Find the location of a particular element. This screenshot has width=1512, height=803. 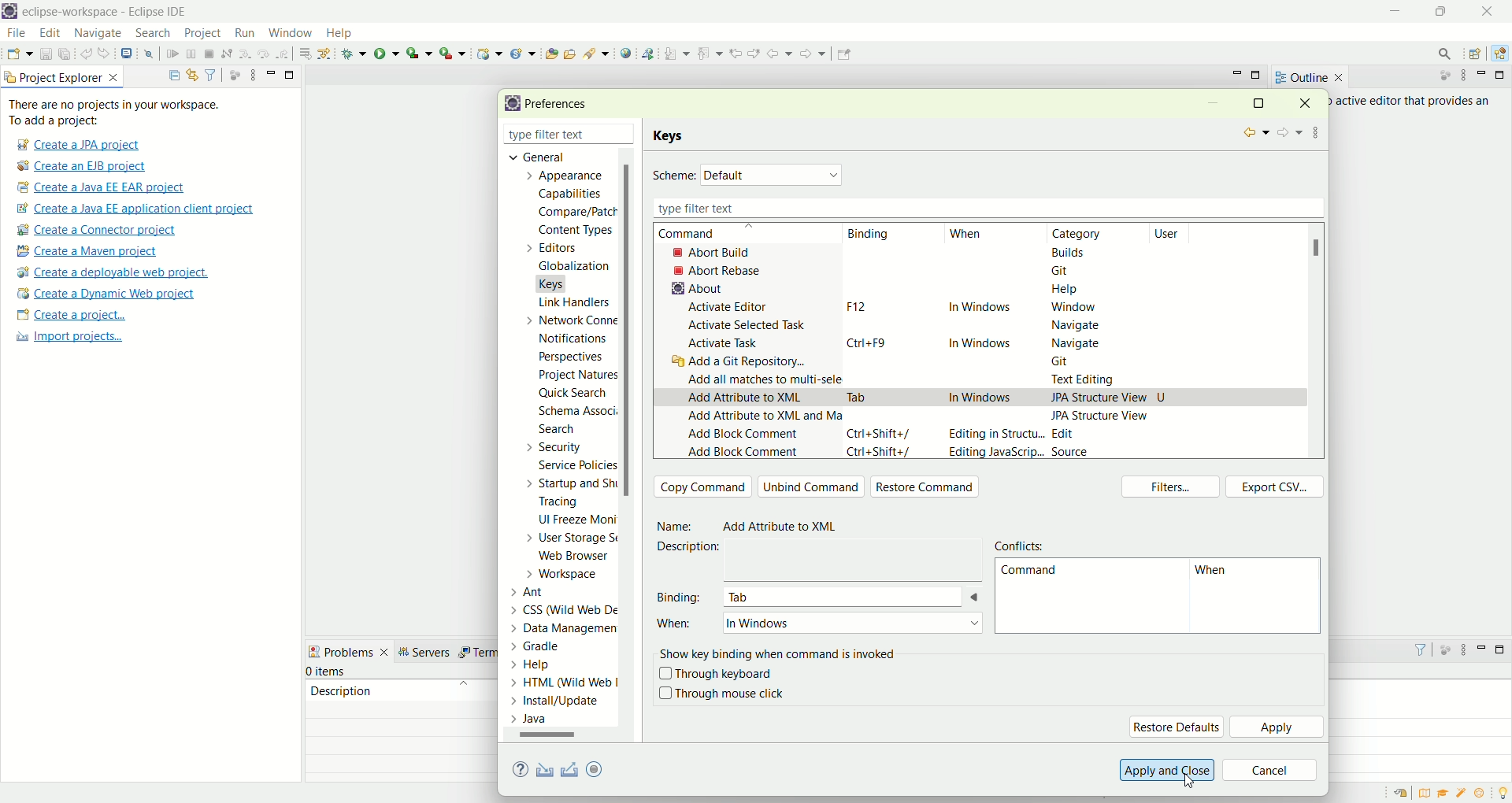

apply is located at coordinates (1278, 728).